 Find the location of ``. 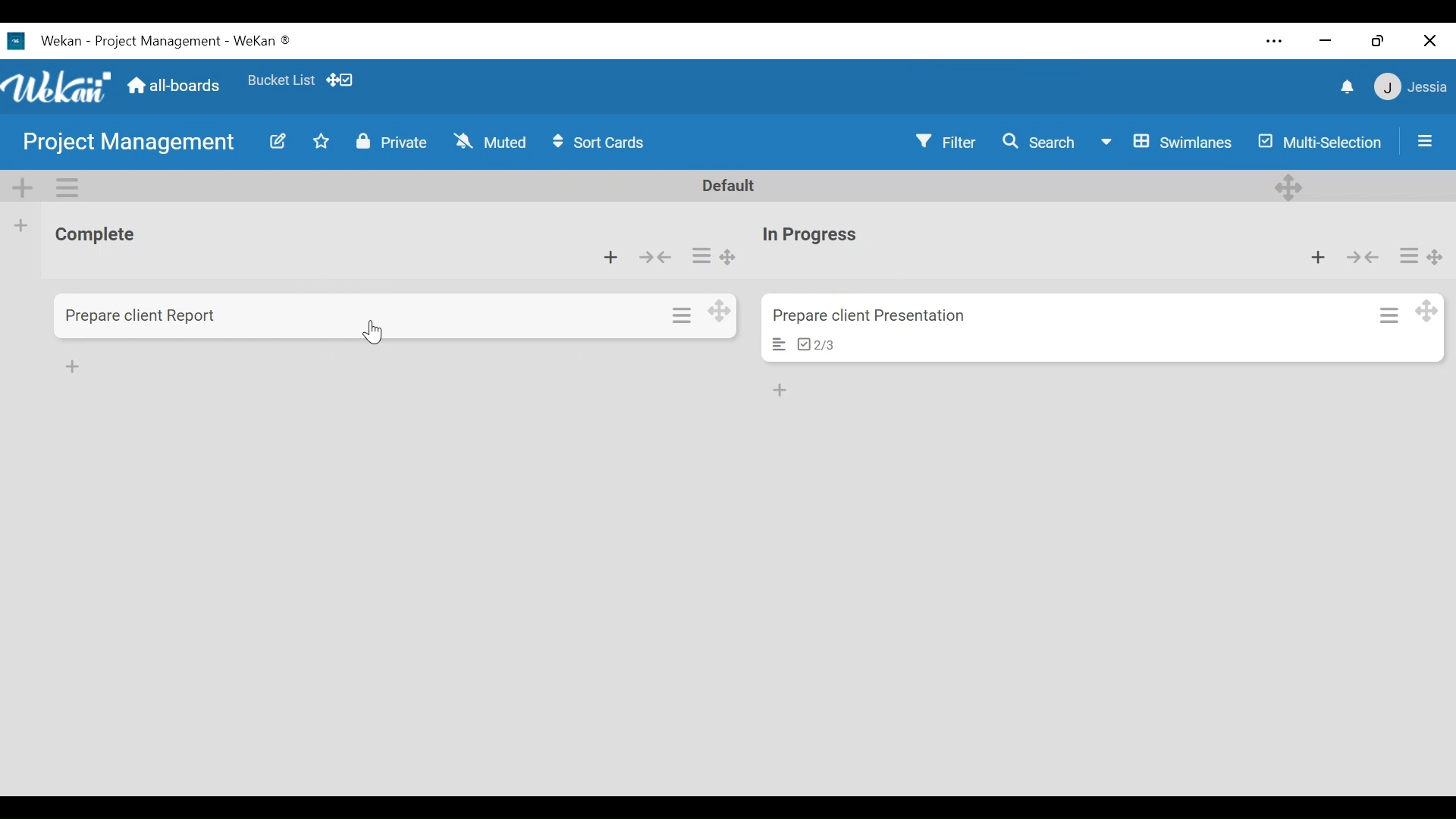

 is located at coordinates (700, 257).